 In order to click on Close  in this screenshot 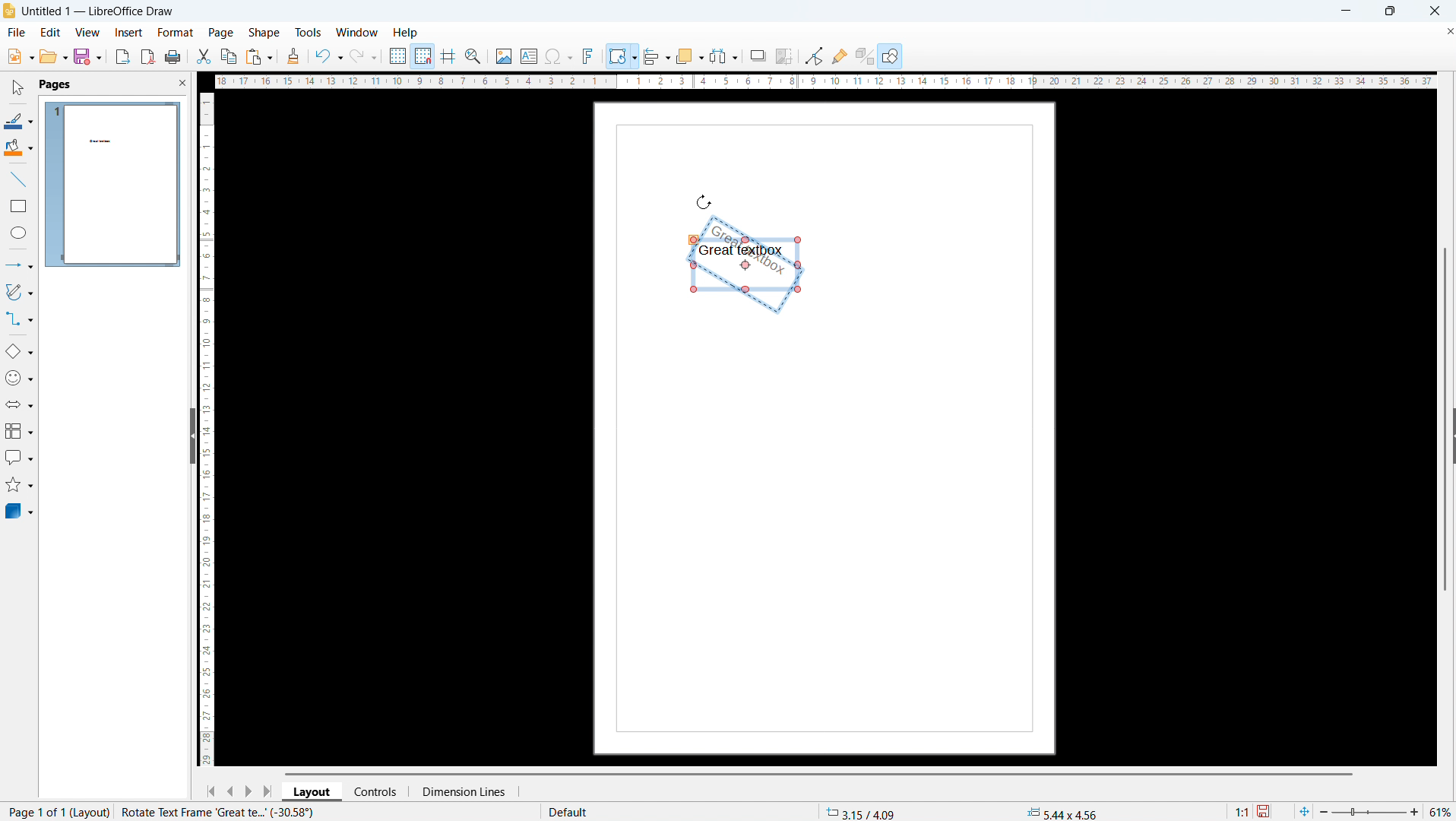, I will do `click(1433, 11)`.